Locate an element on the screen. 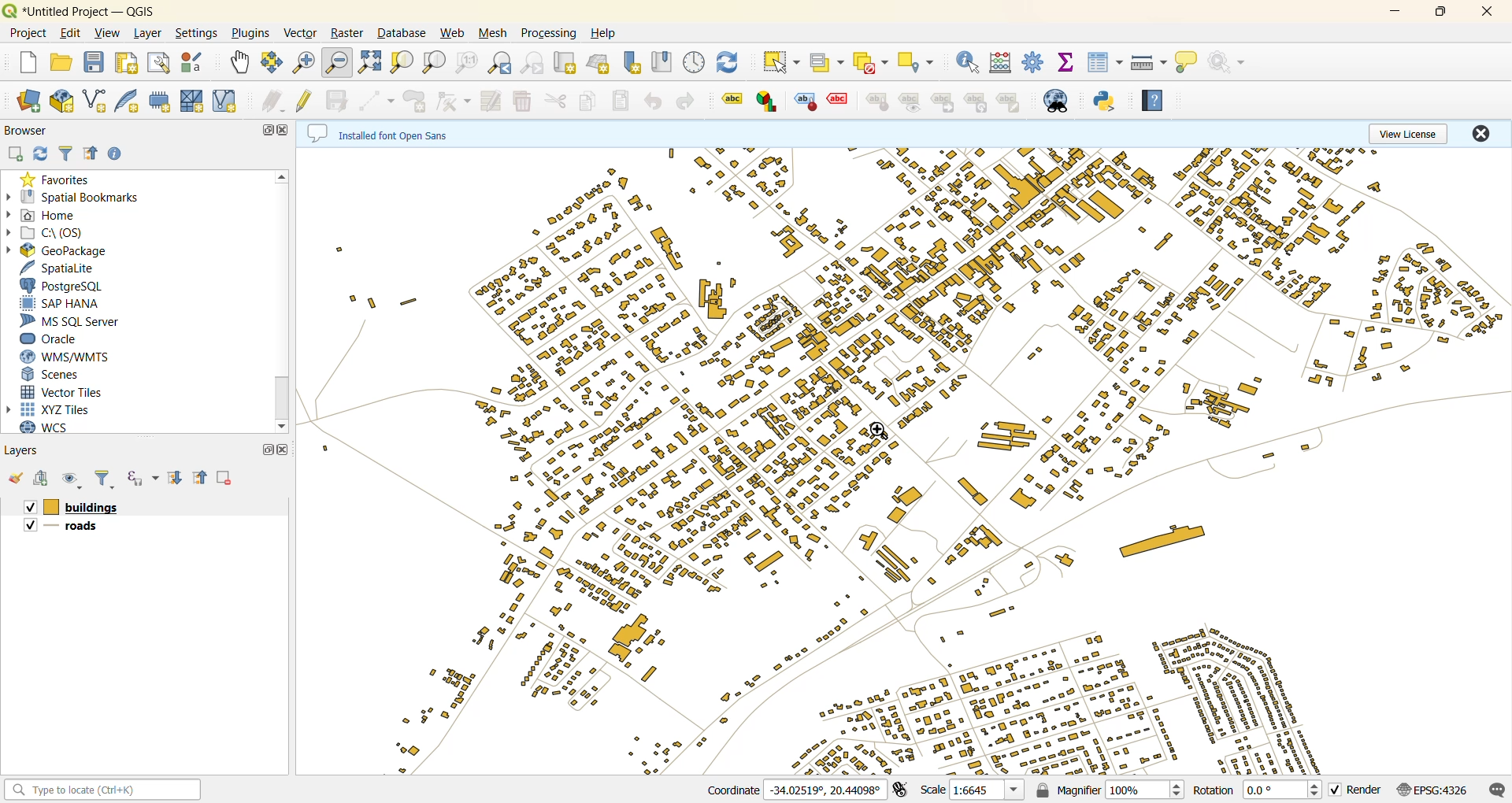 Image resolution: width=1512 pixels, height=803 pixels. maximize is located at coordinates (269, 131).